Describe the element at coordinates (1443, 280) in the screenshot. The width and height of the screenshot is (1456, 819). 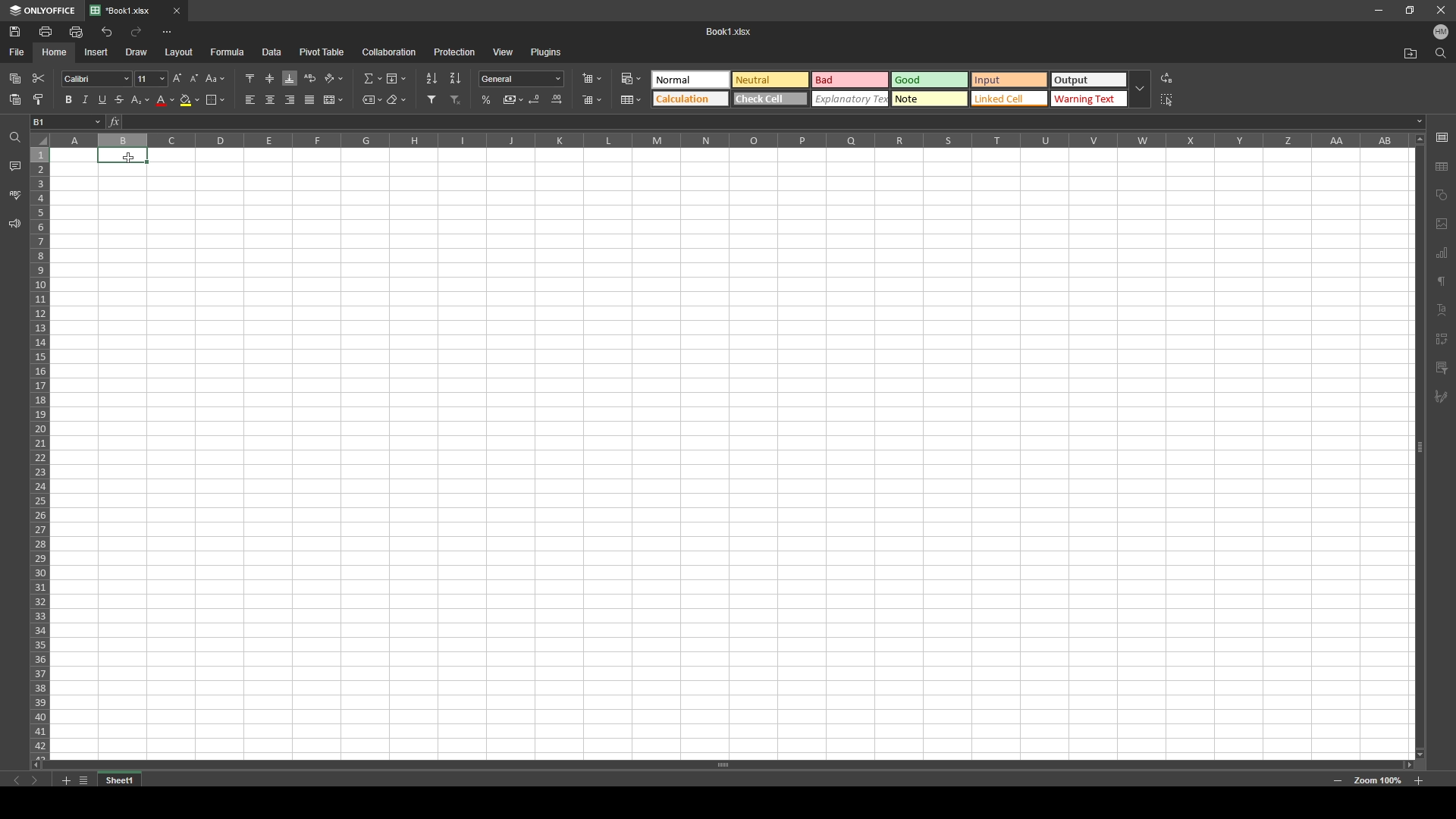
I see `paragraph` at that location.